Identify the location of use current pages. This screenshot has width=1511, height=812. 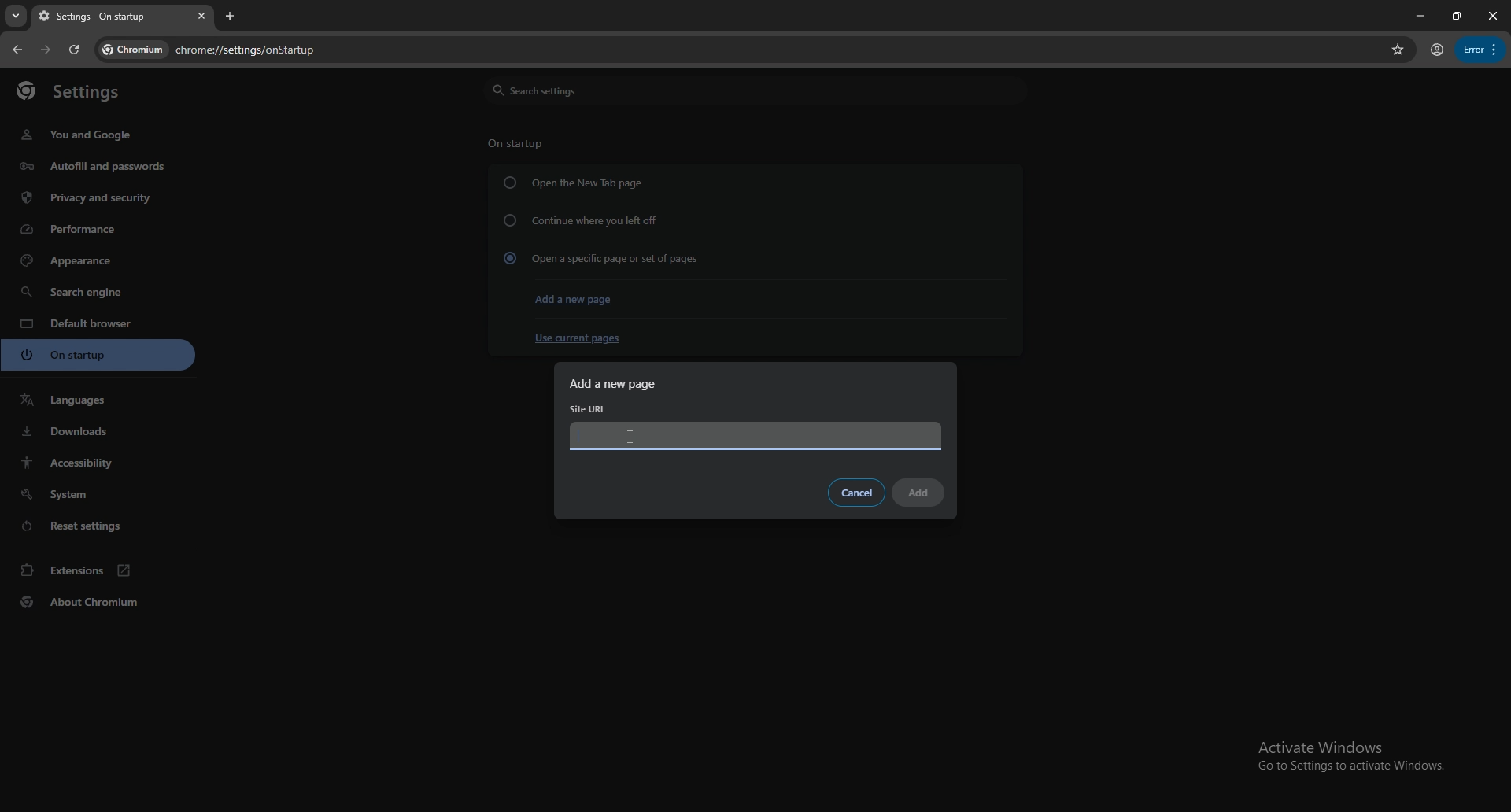
(576, 338).